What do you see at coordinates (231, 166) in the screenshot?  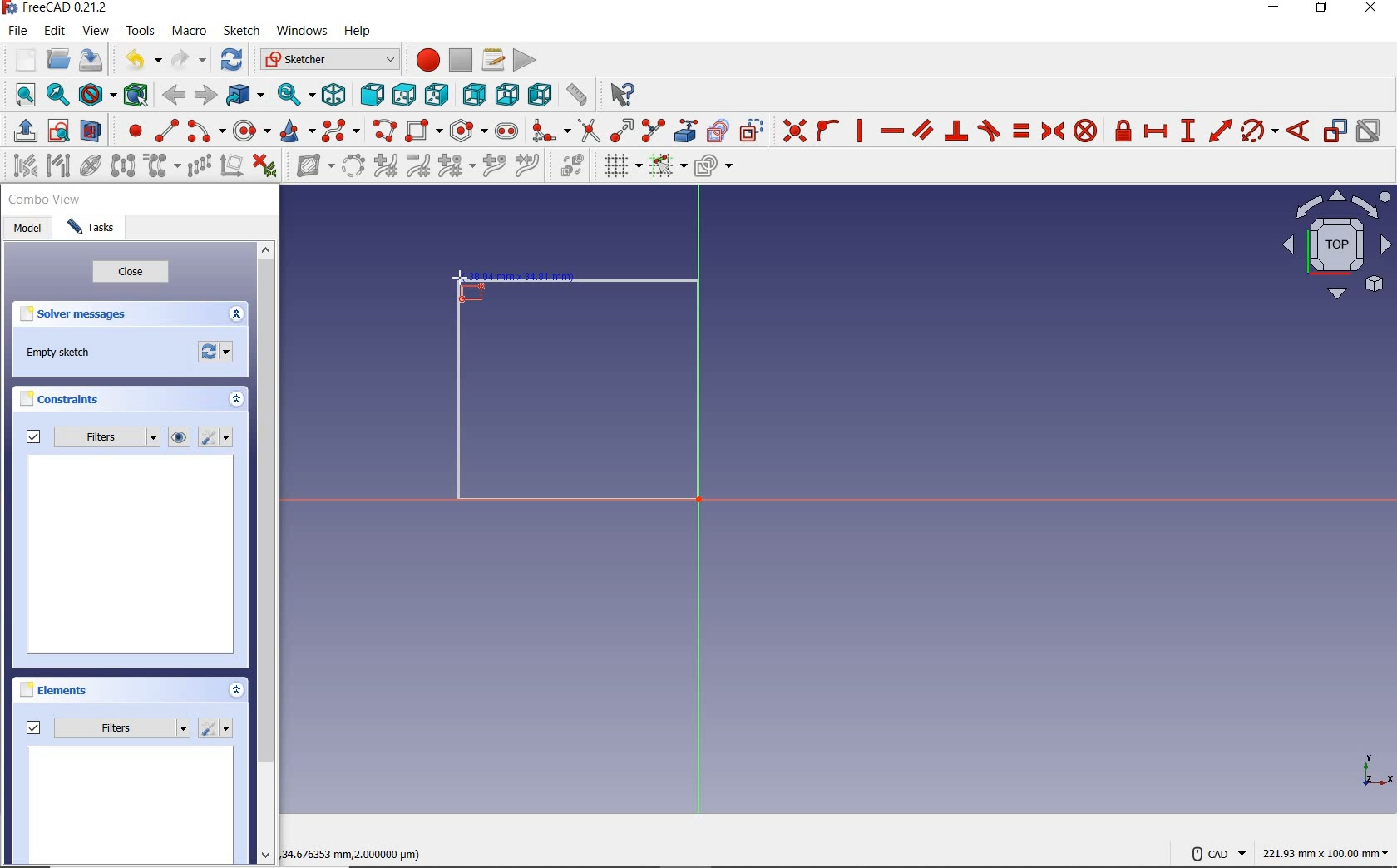 I see `remove axes alignment` at bounding box center [231, 166].